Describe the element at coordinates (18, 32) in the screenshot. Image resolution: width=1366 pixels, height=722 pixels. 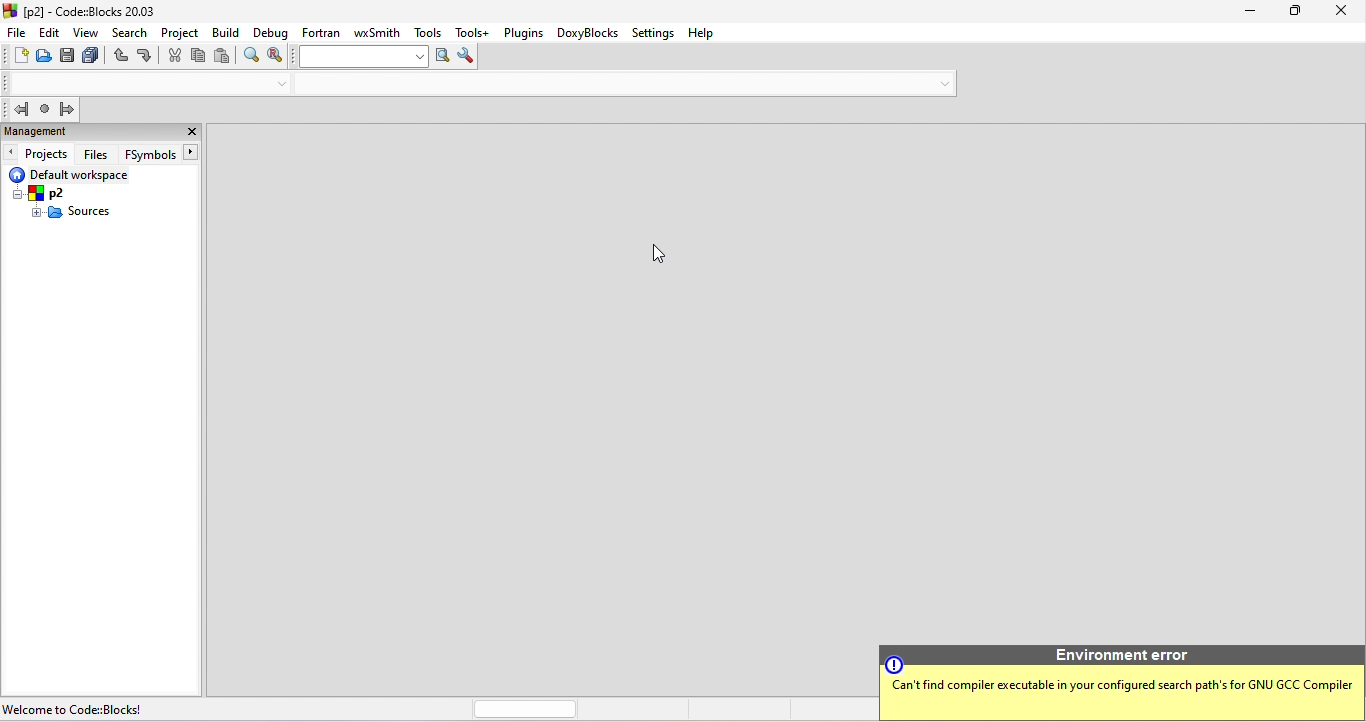
I see `file` at that location.